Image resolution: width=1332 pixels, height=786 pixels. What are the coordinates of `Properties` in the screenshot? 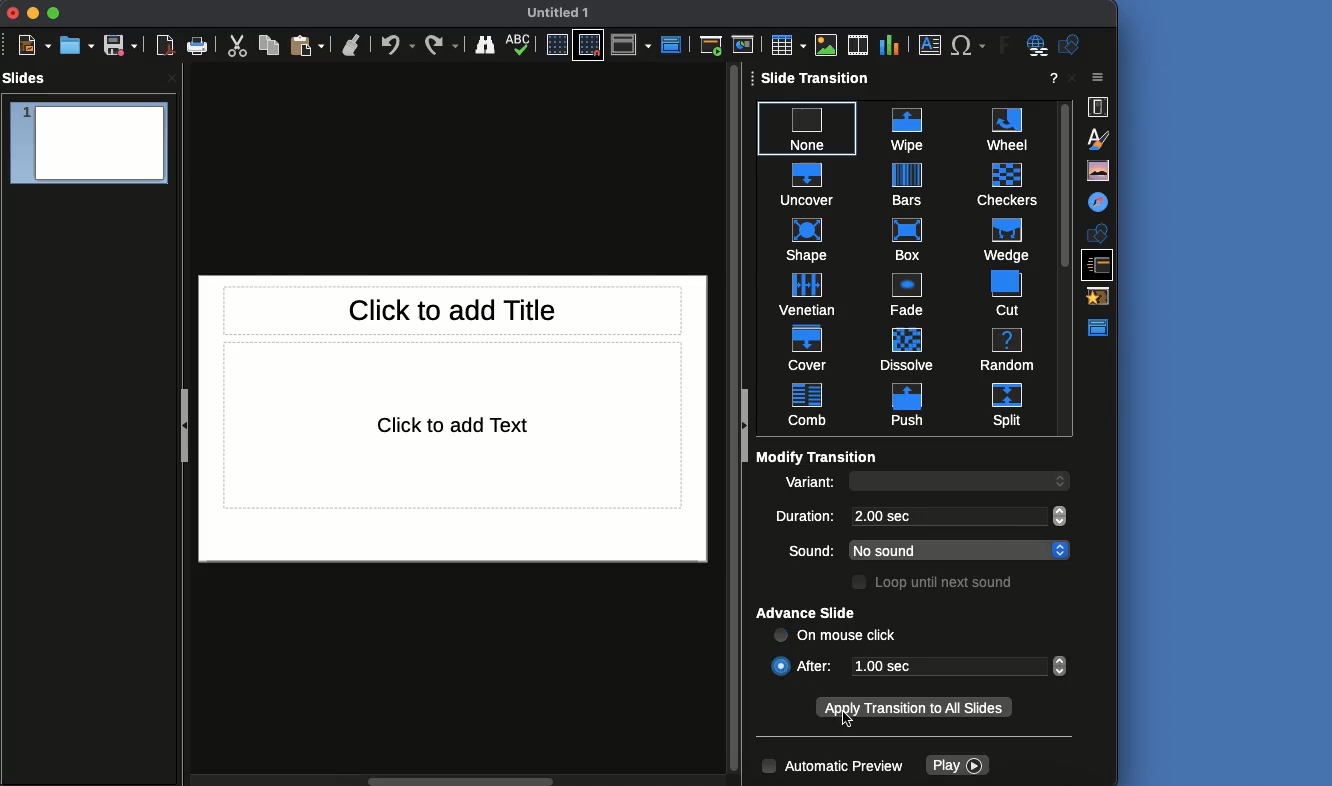 It's located at (1099, 105).